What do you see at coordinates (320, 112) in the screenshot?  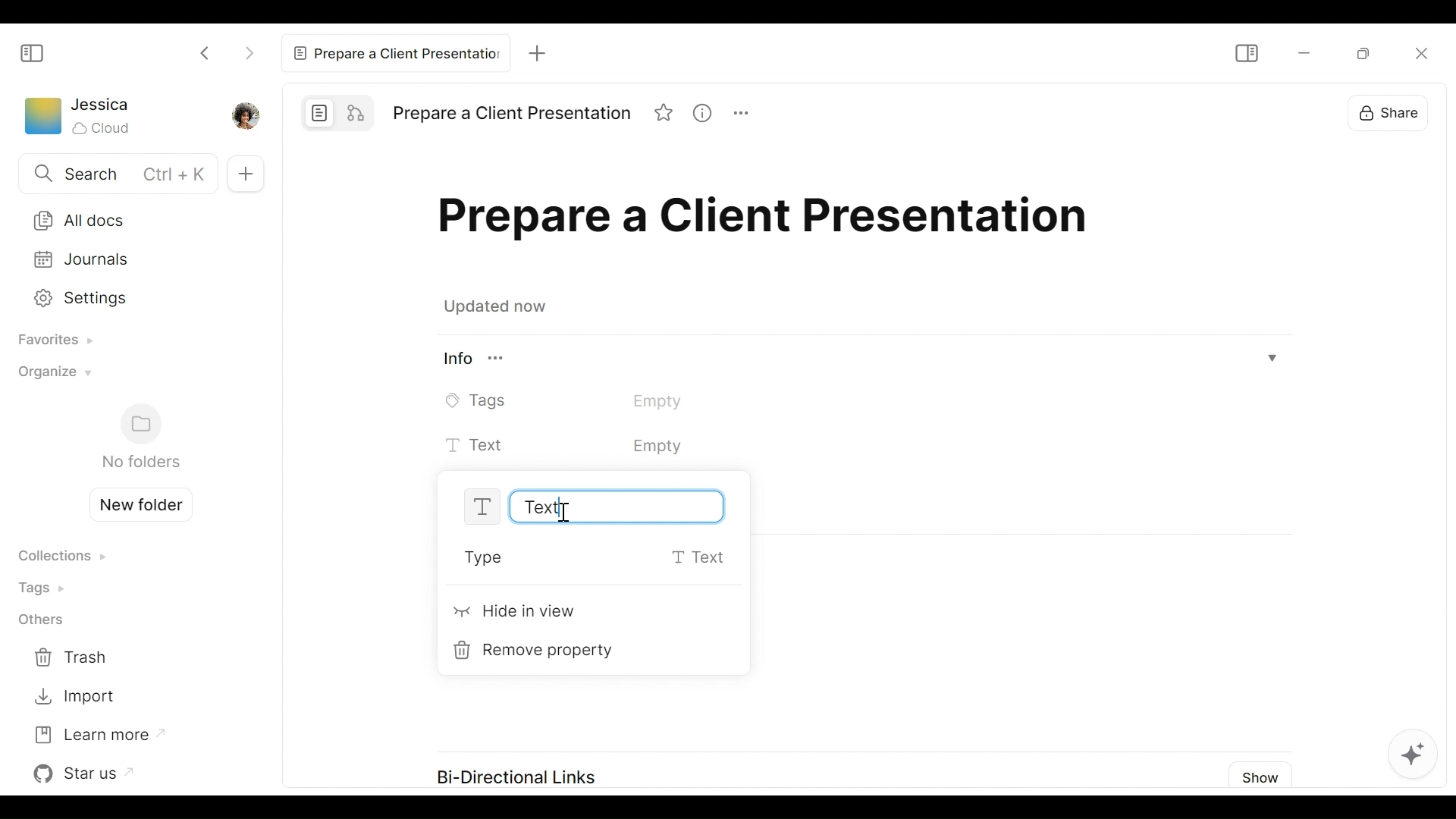 I see `Page mode` at bounding box center [320, 112].